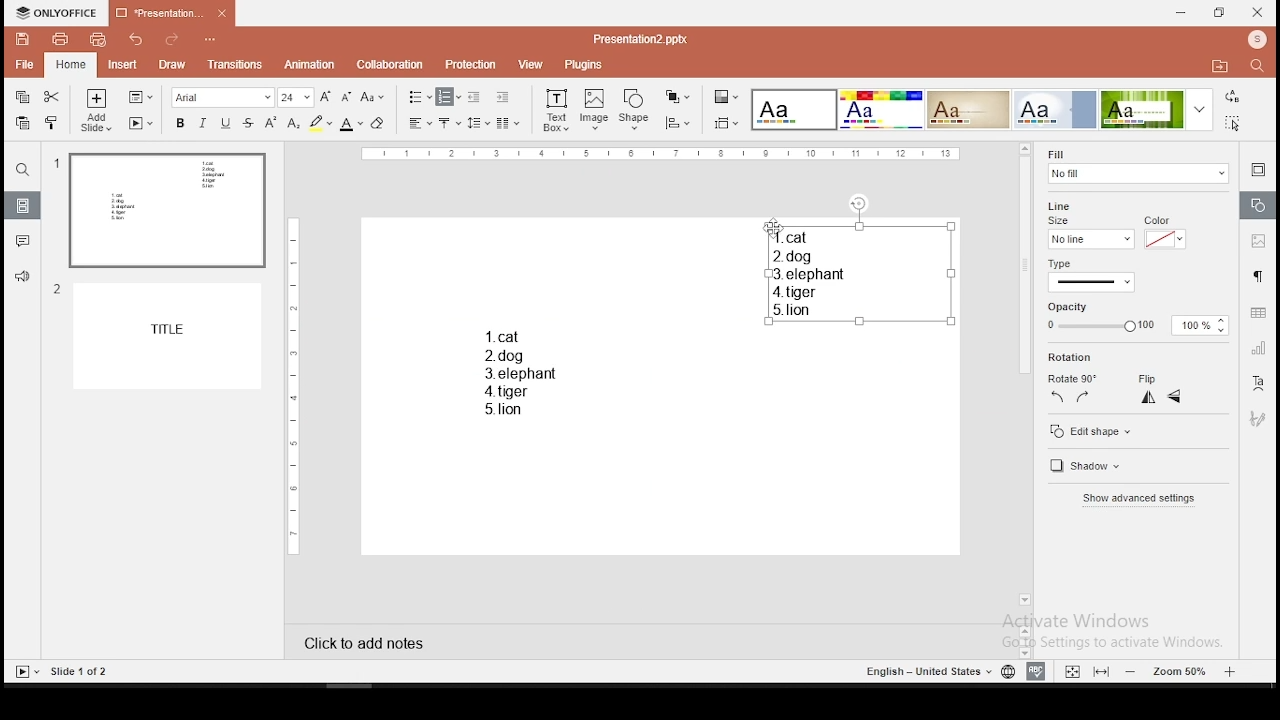 The image size is (1280, 720). Describe the element at coordinates (1089, 239) in the screenshot. I see `line size` at that location.